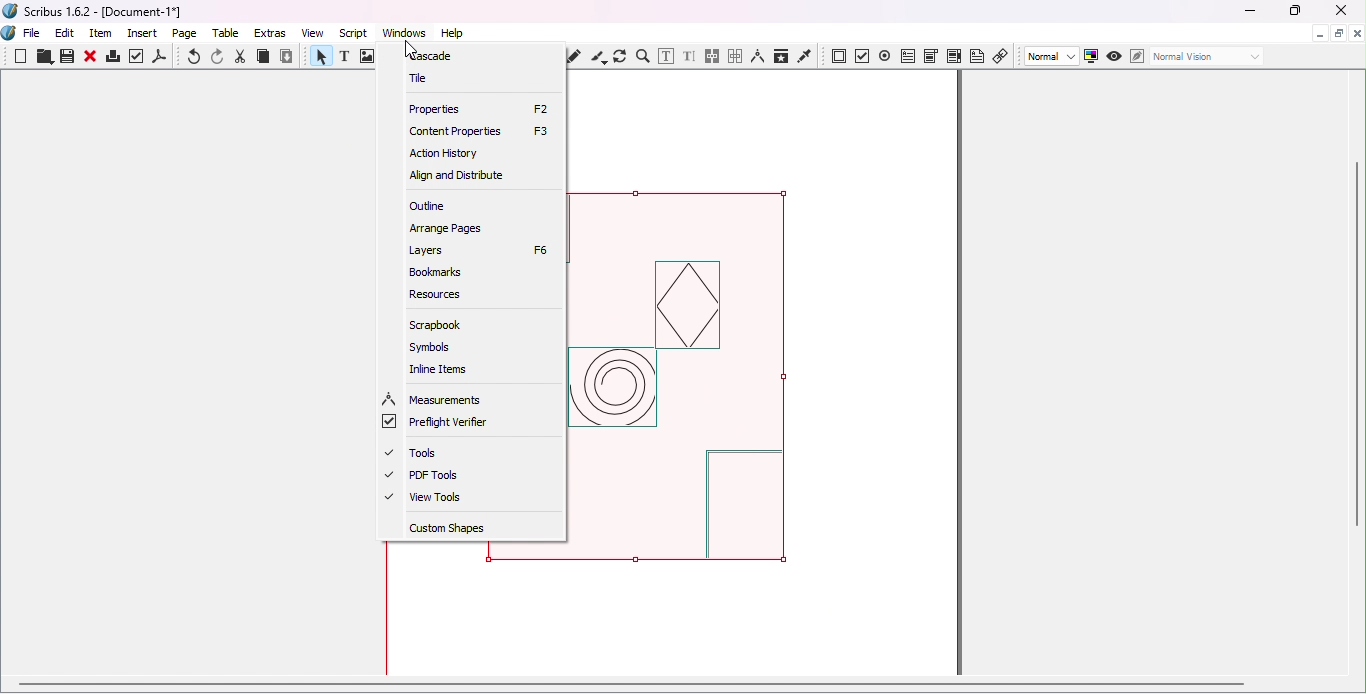 This screenshot has height=694, width=1366. Describe the element at coordinates (480, 129) in the screenshot. I see `Content properties` at that location.